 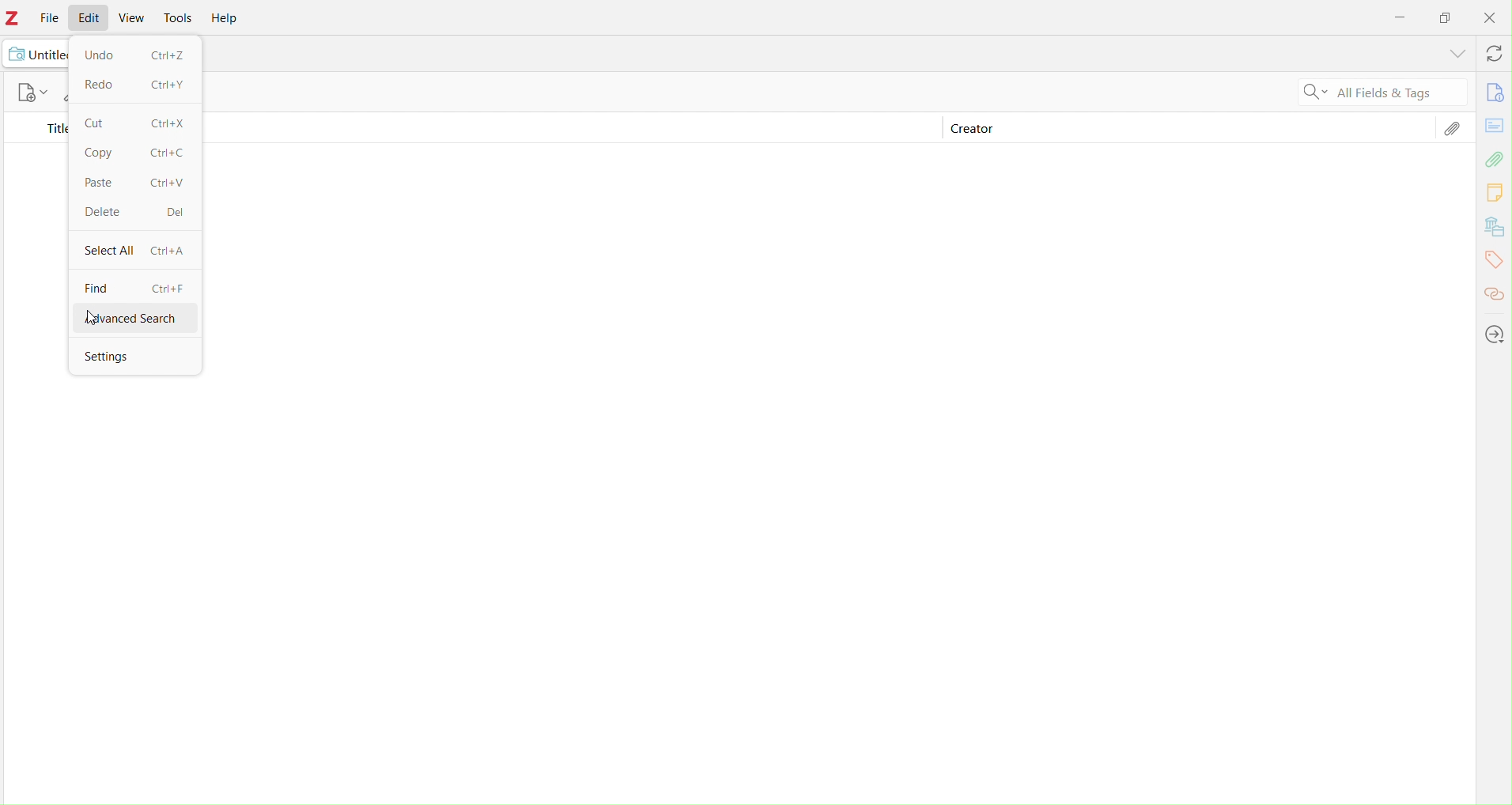 I want to click on Close, so click(x=1491, y=18).